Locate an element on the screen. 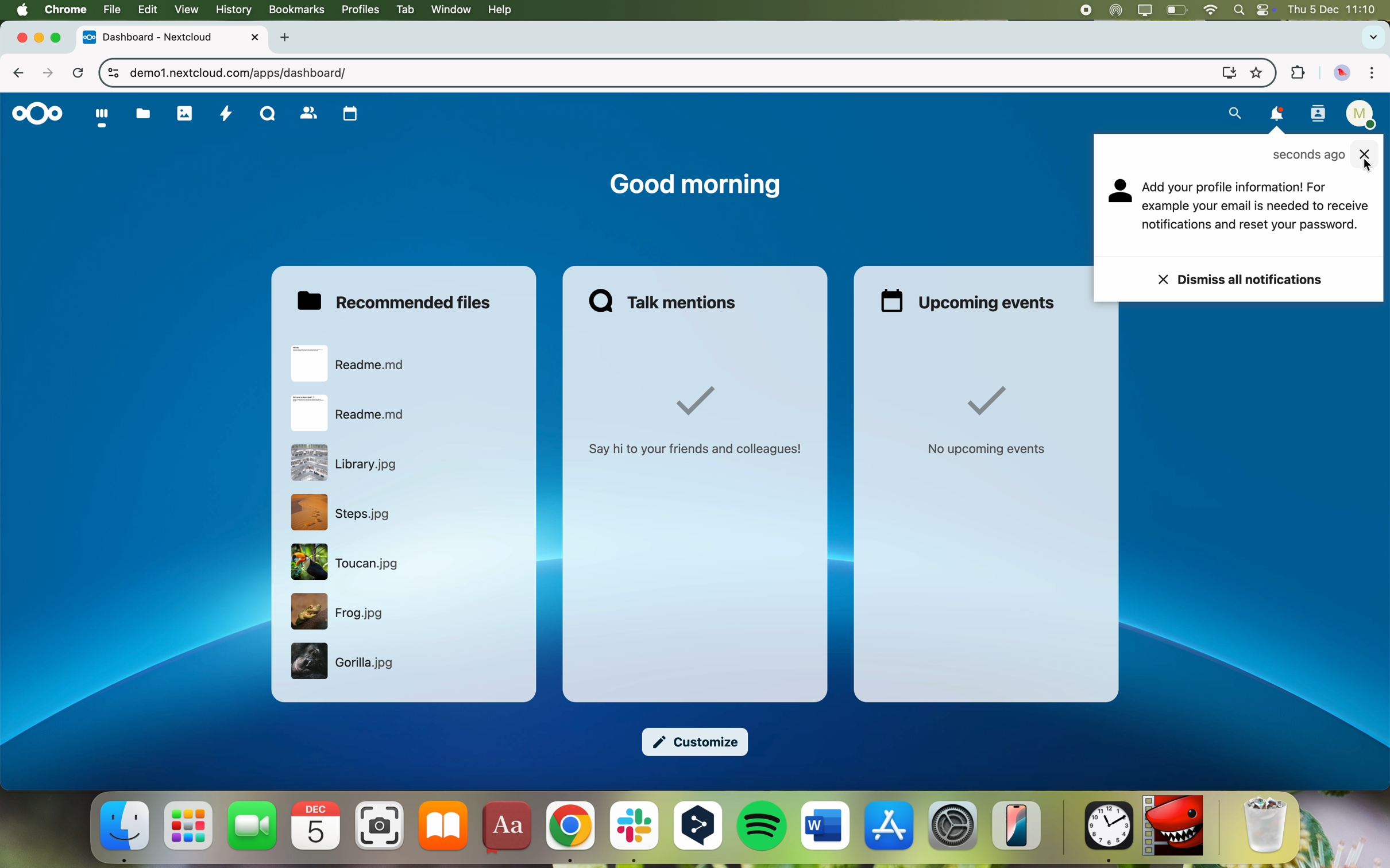 This screenshot has width=1390, height=868. screen is located at coordinates (1144, 10).